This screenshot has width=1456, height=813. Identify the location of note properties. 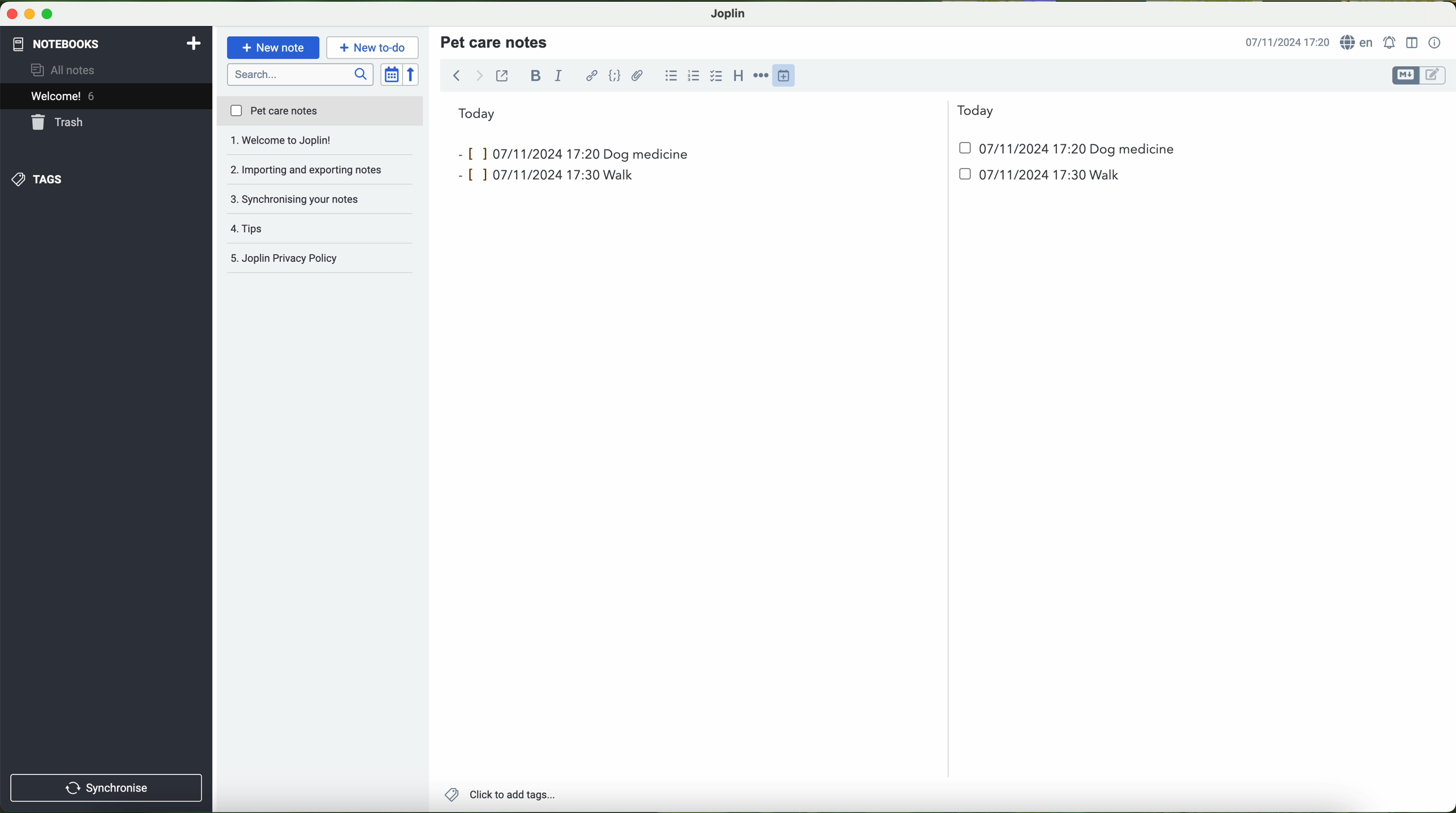
(1435, 43).